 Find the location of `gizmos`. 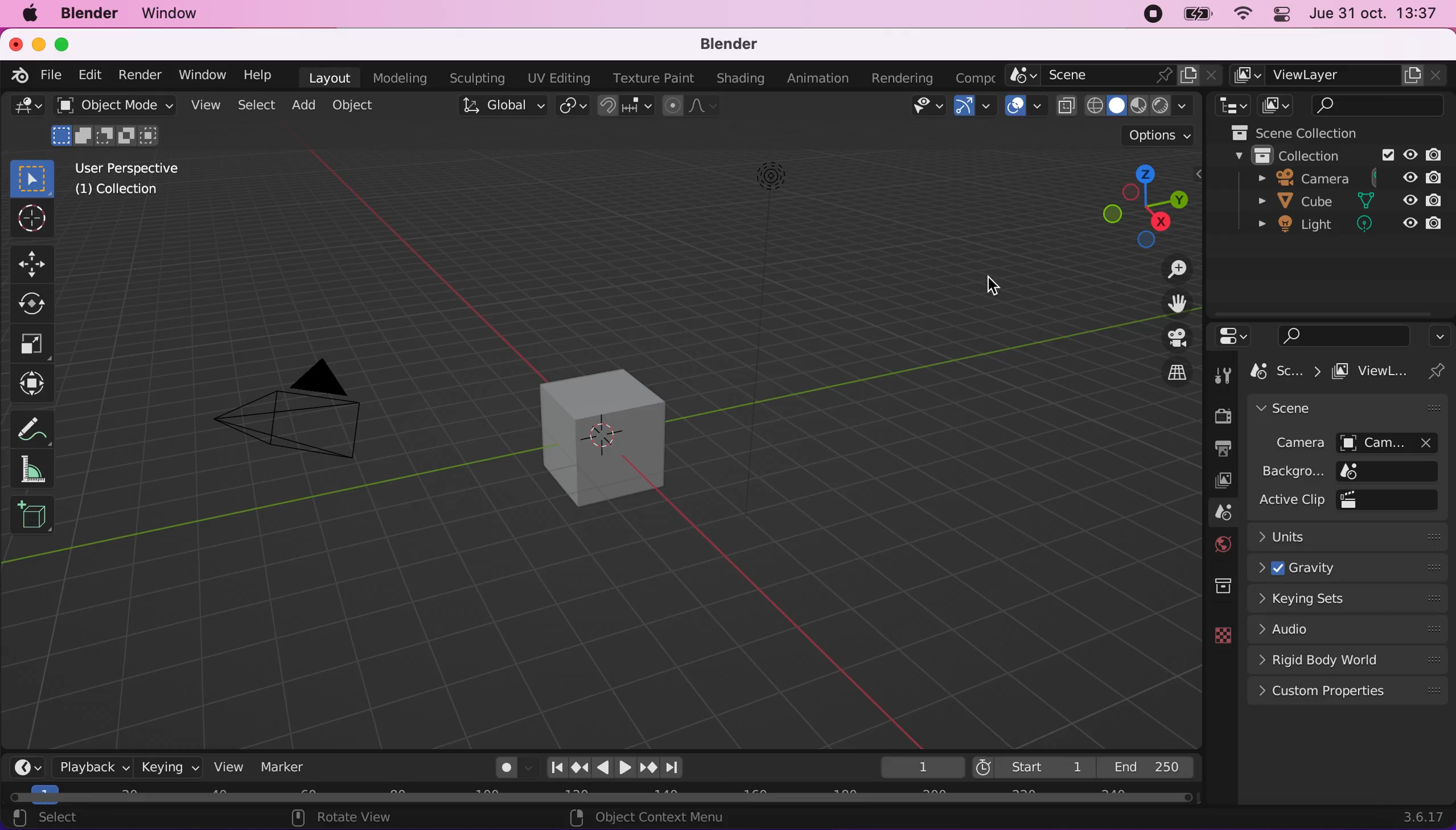

gizmos is located at coordinates (974, 107).